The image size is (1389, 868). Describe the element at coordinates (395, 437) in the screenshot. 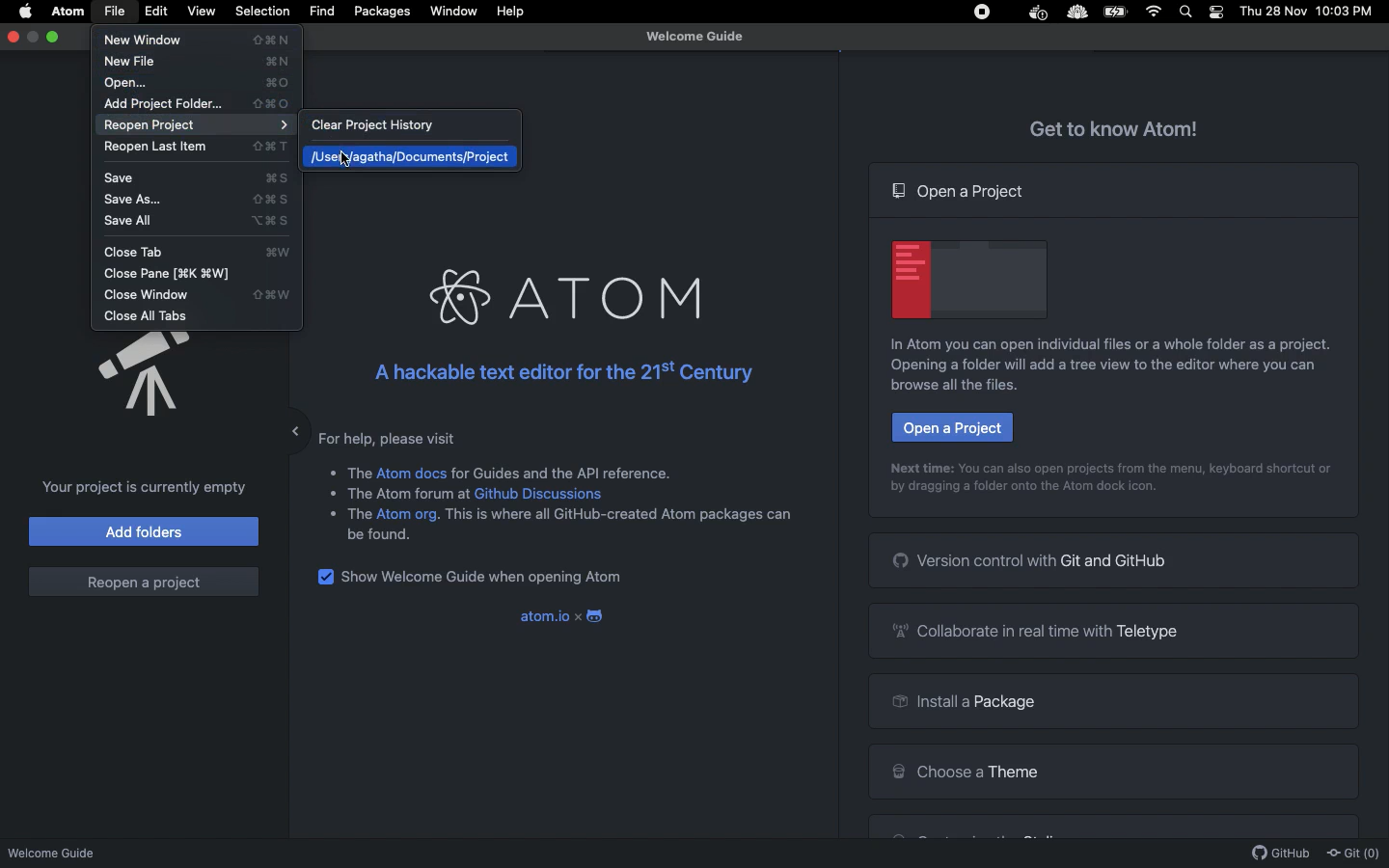

I see `Descriptive text` at that location.